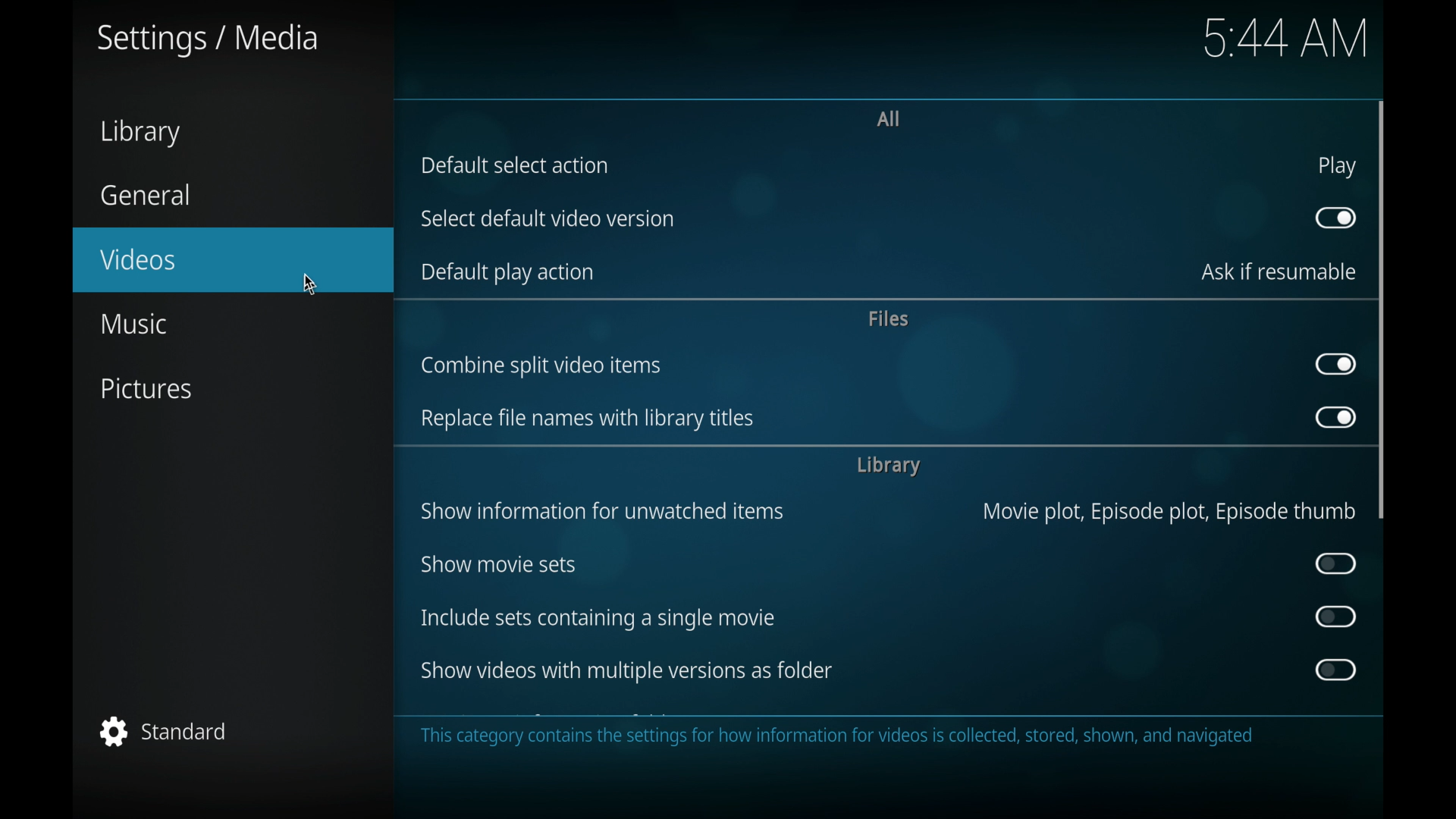 The height and width of the screenshot is (819, 1456). I want to click on files, so click(887, 319).